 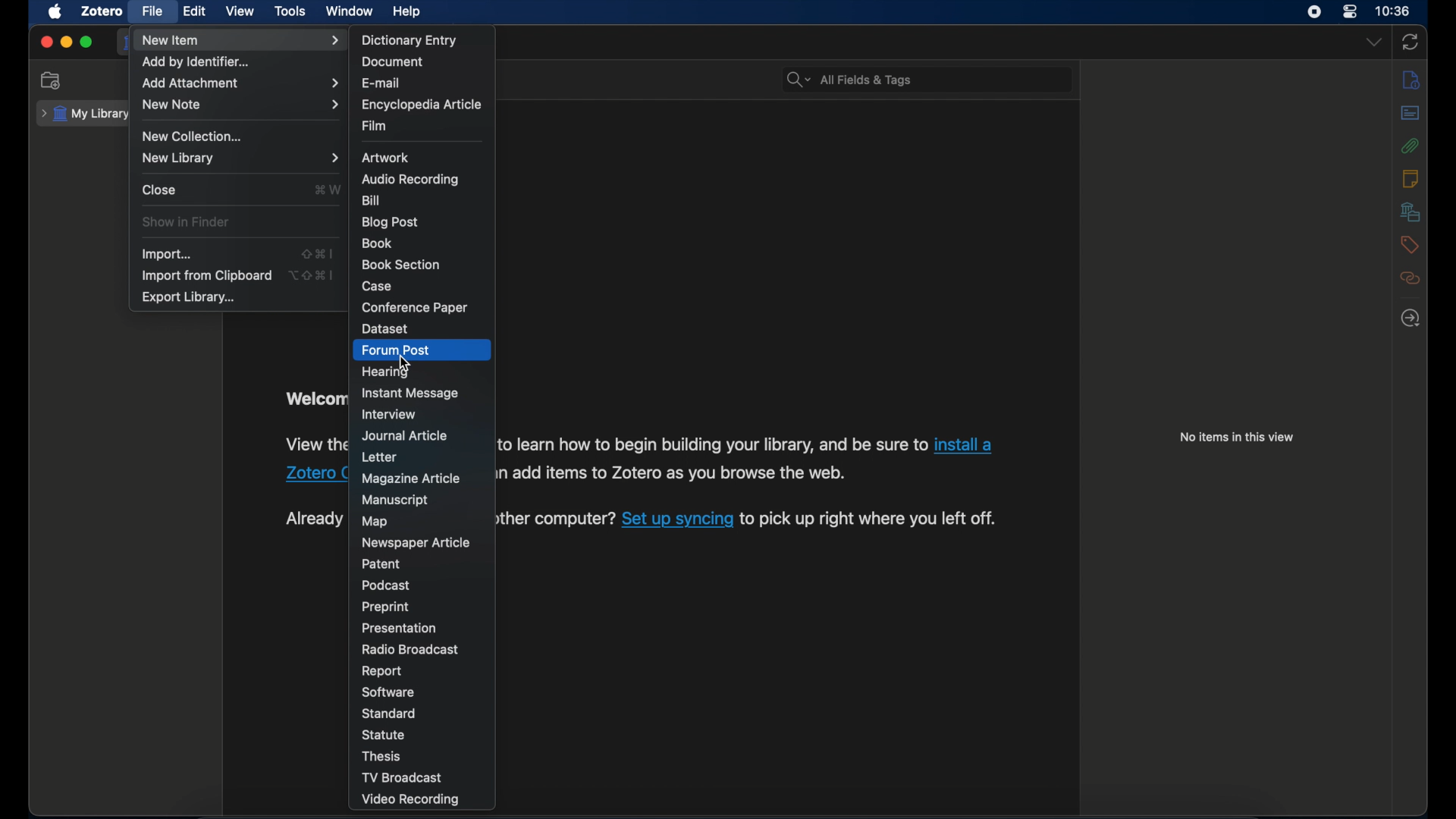 I want to click on letter, so click(x=381, y=457).